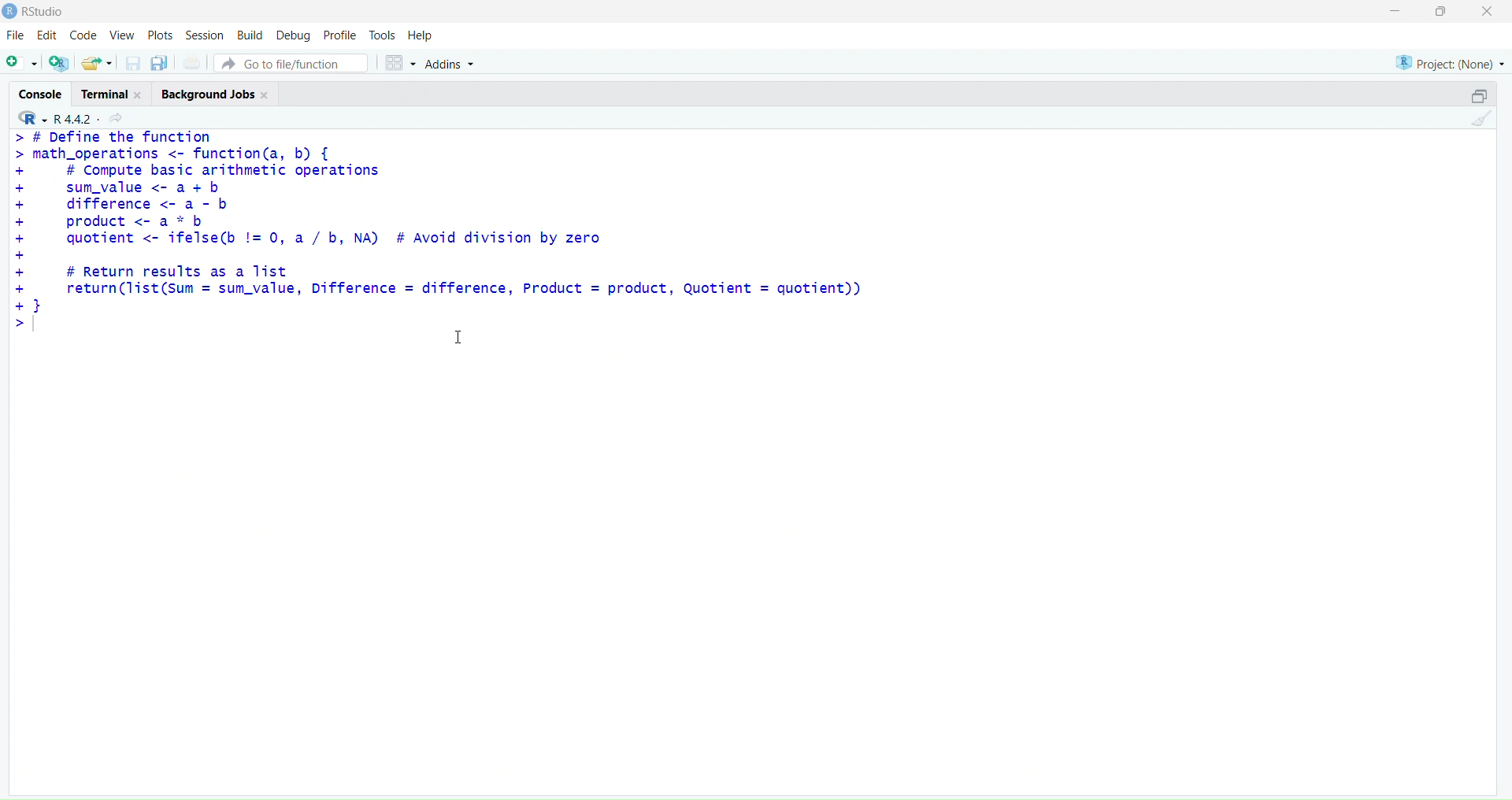 Image resolution: width=1512 pixels, height=800 pixels. Describe the element at coordinates (40, 94) in the screenshot. I see `Console` at that location.